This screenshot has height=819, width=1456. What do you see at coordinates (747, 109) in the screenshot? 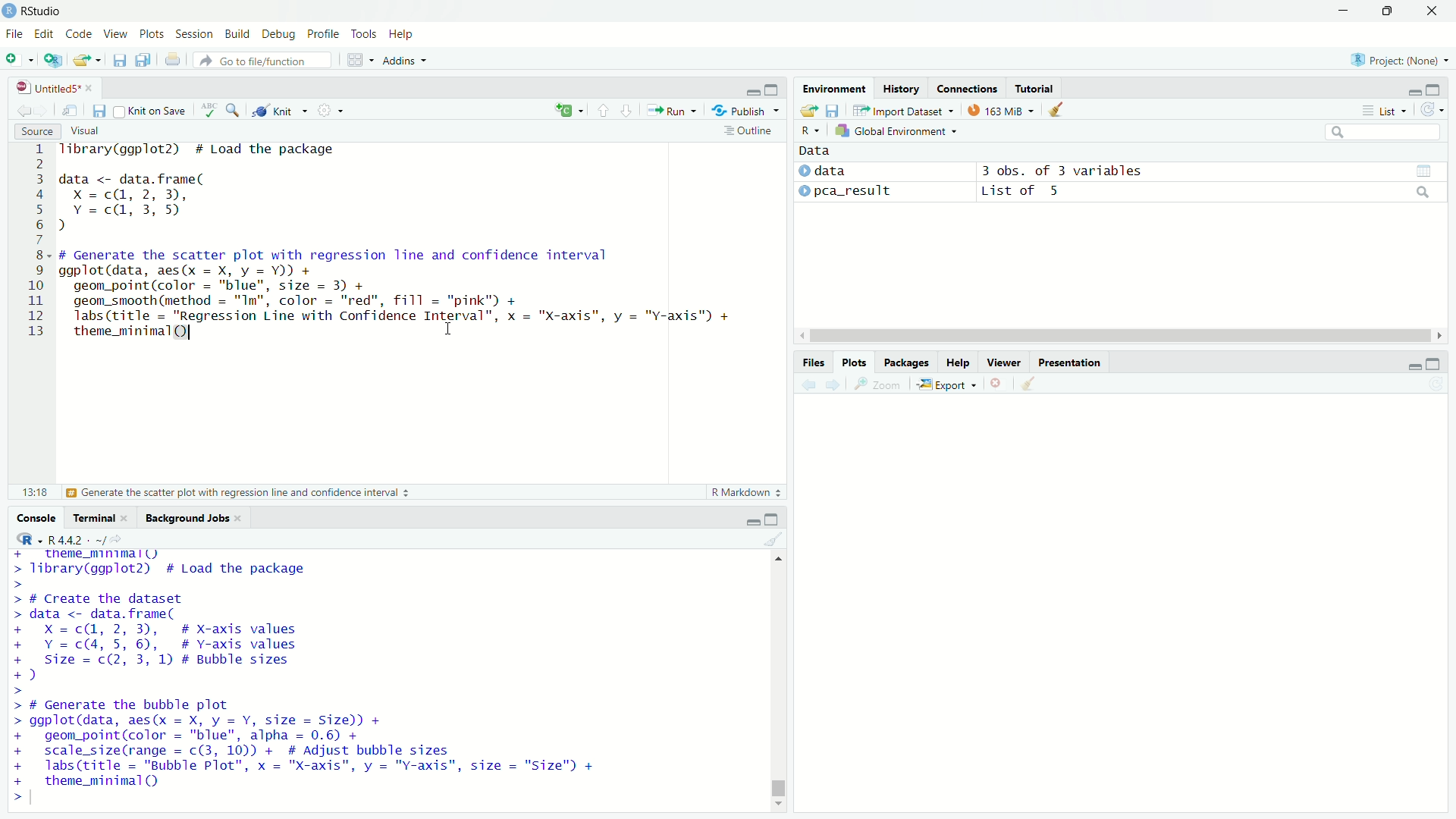
I see `Publish` at bounding box center [747, 109].